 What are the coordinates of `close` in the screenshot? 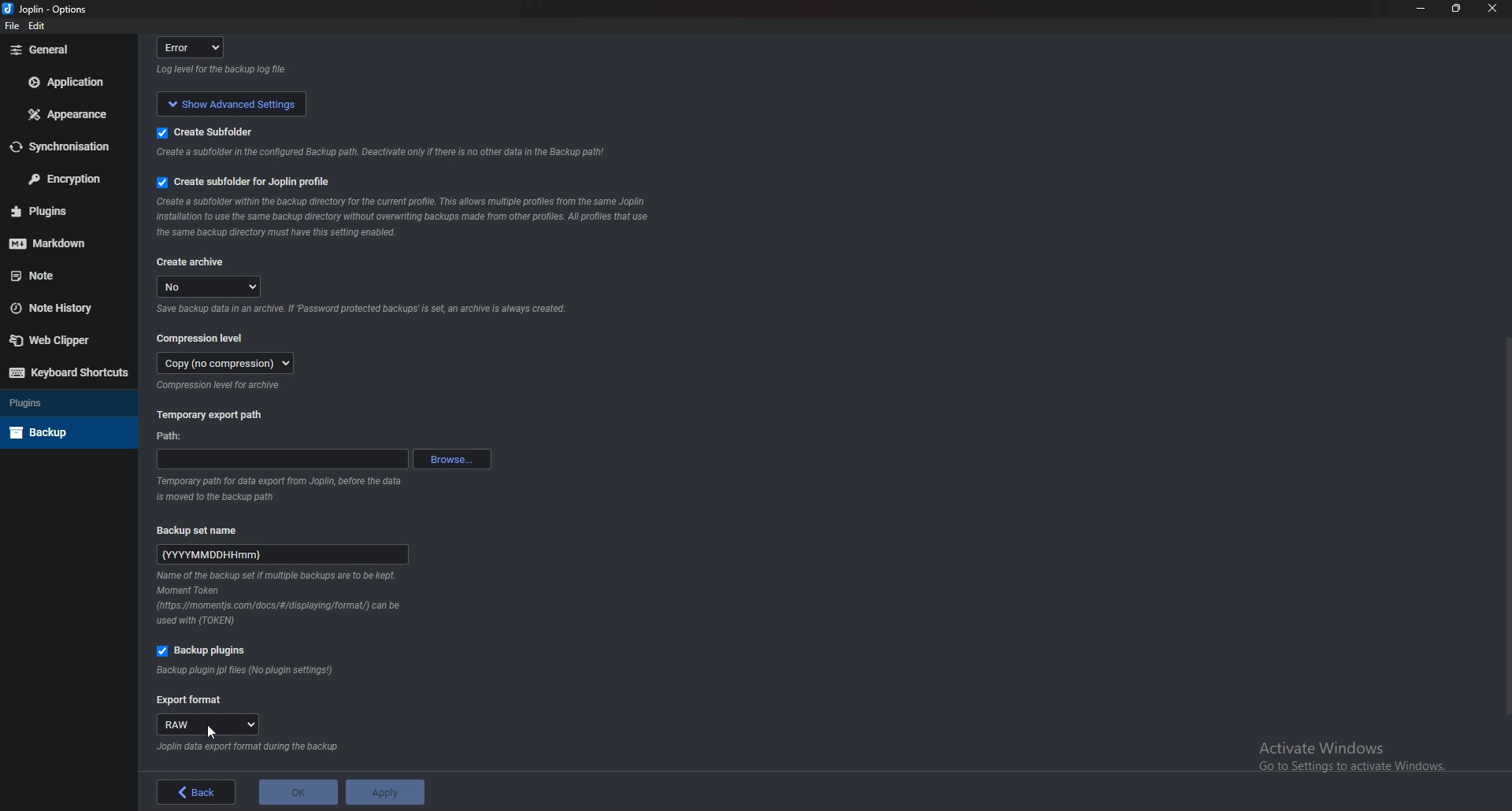 It's located at (1490, 12).